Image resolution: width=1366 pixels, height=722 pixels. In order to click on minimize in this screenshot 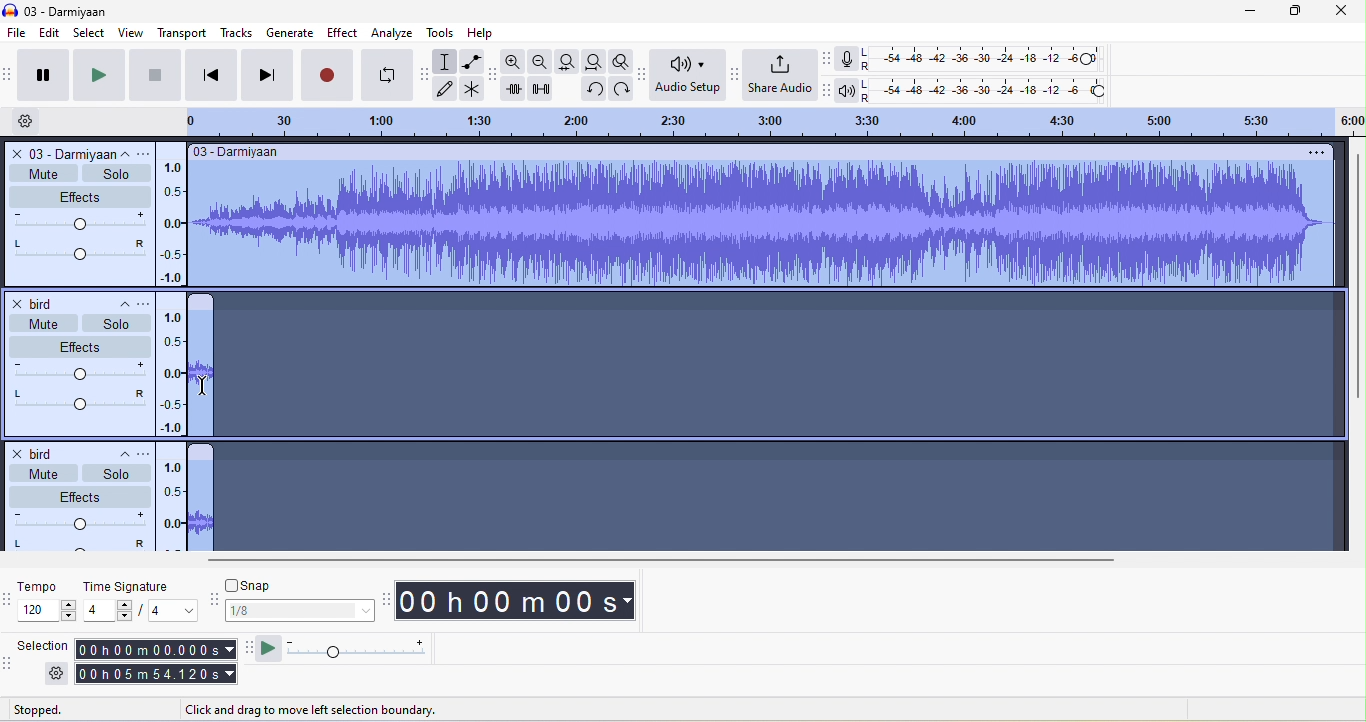, I will do `click(1238, 11)`.